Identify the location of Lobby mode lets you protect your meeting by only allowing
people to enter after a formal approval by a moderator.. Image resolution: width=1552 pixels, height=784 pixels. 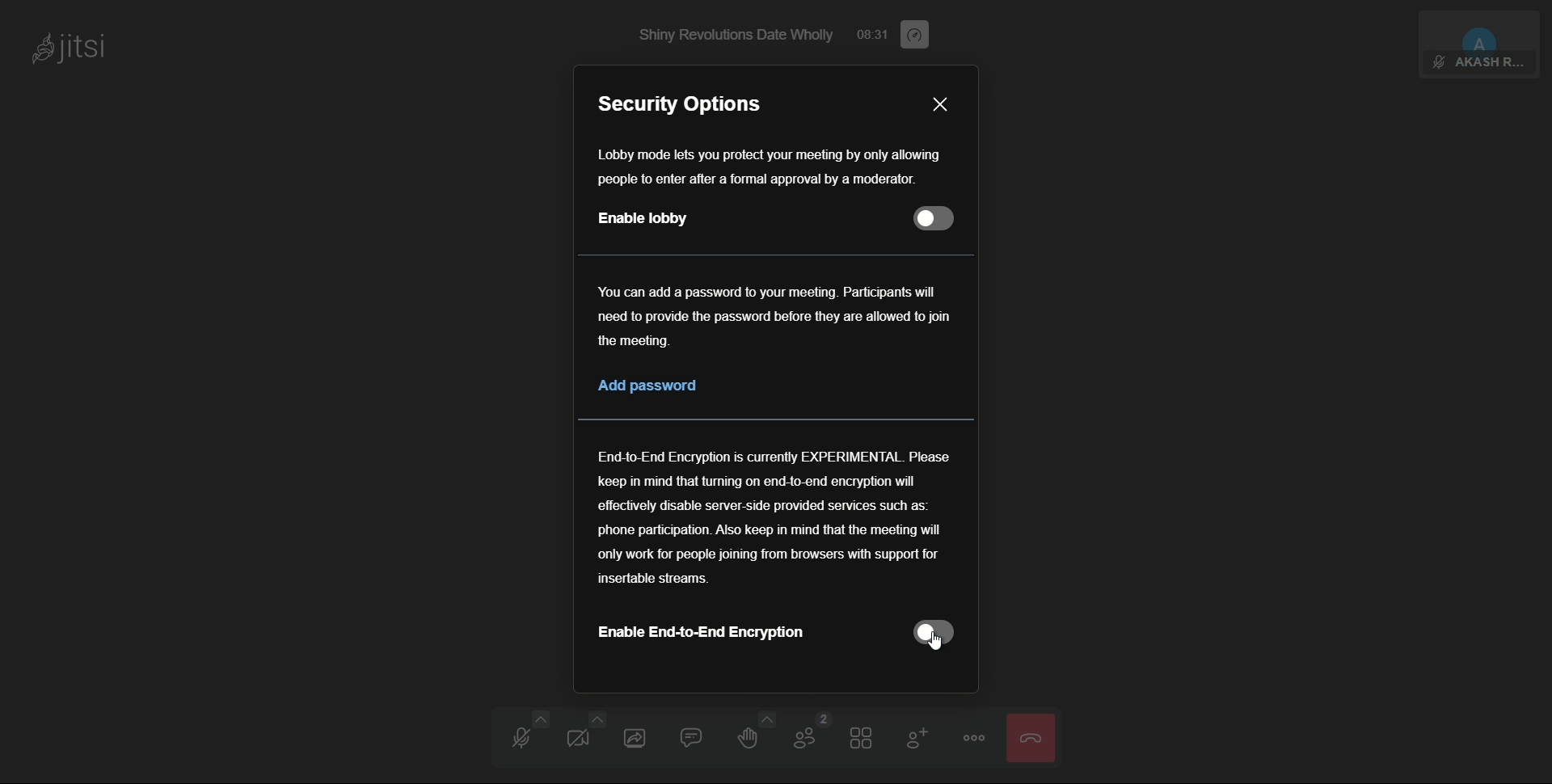
(784, 164).